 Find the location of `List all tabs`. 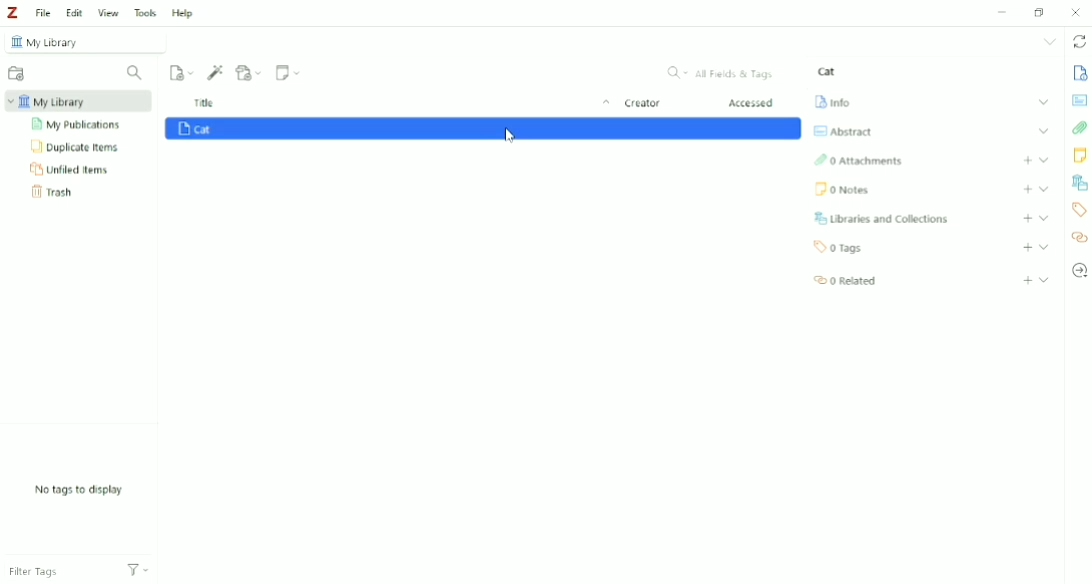

List all tabs is located at coordinates (1051, 41).